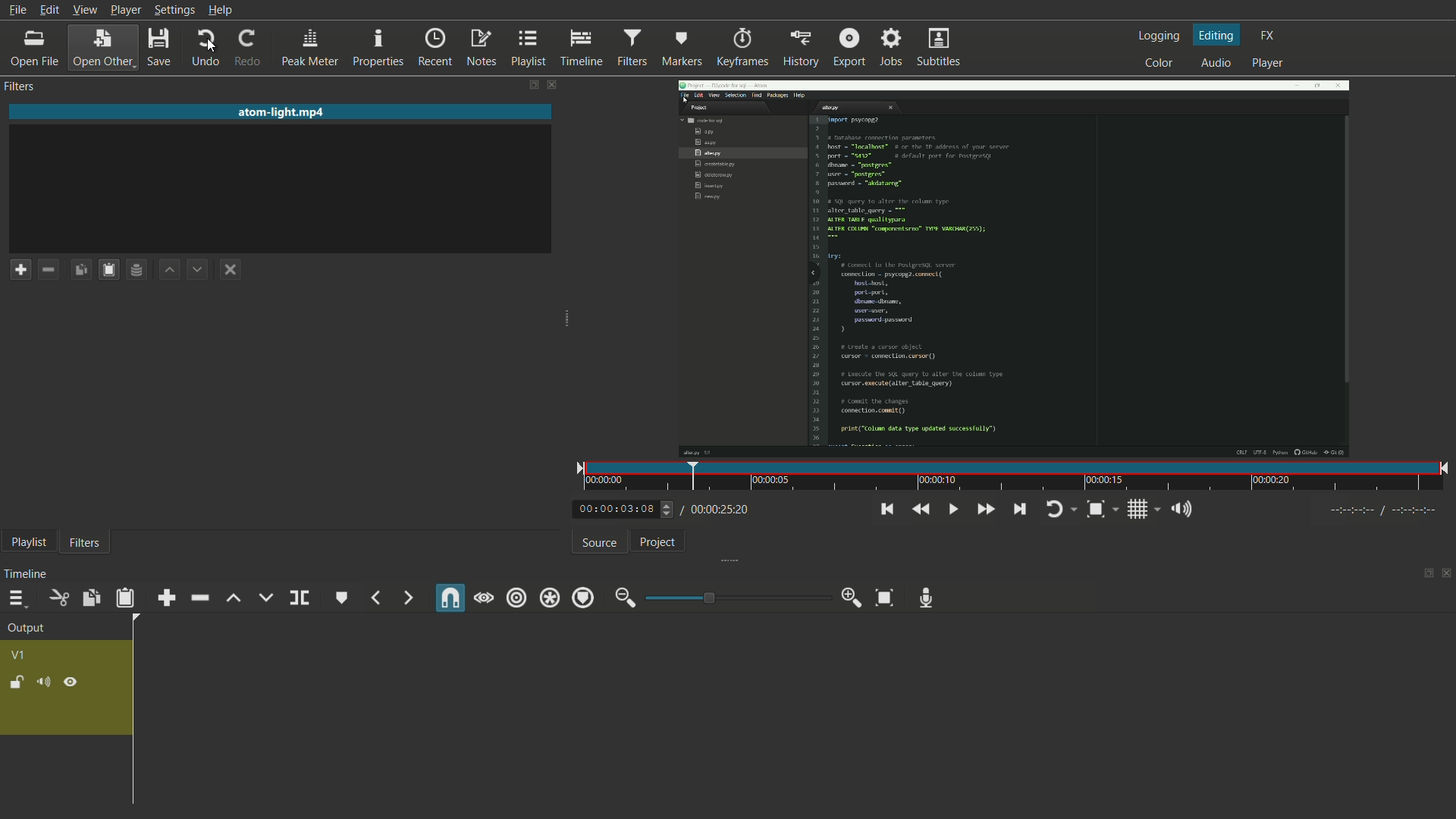  What do you see at coordinates (380, 48) in the screenshot?
I see `properties` at bounding box center [380, 48].